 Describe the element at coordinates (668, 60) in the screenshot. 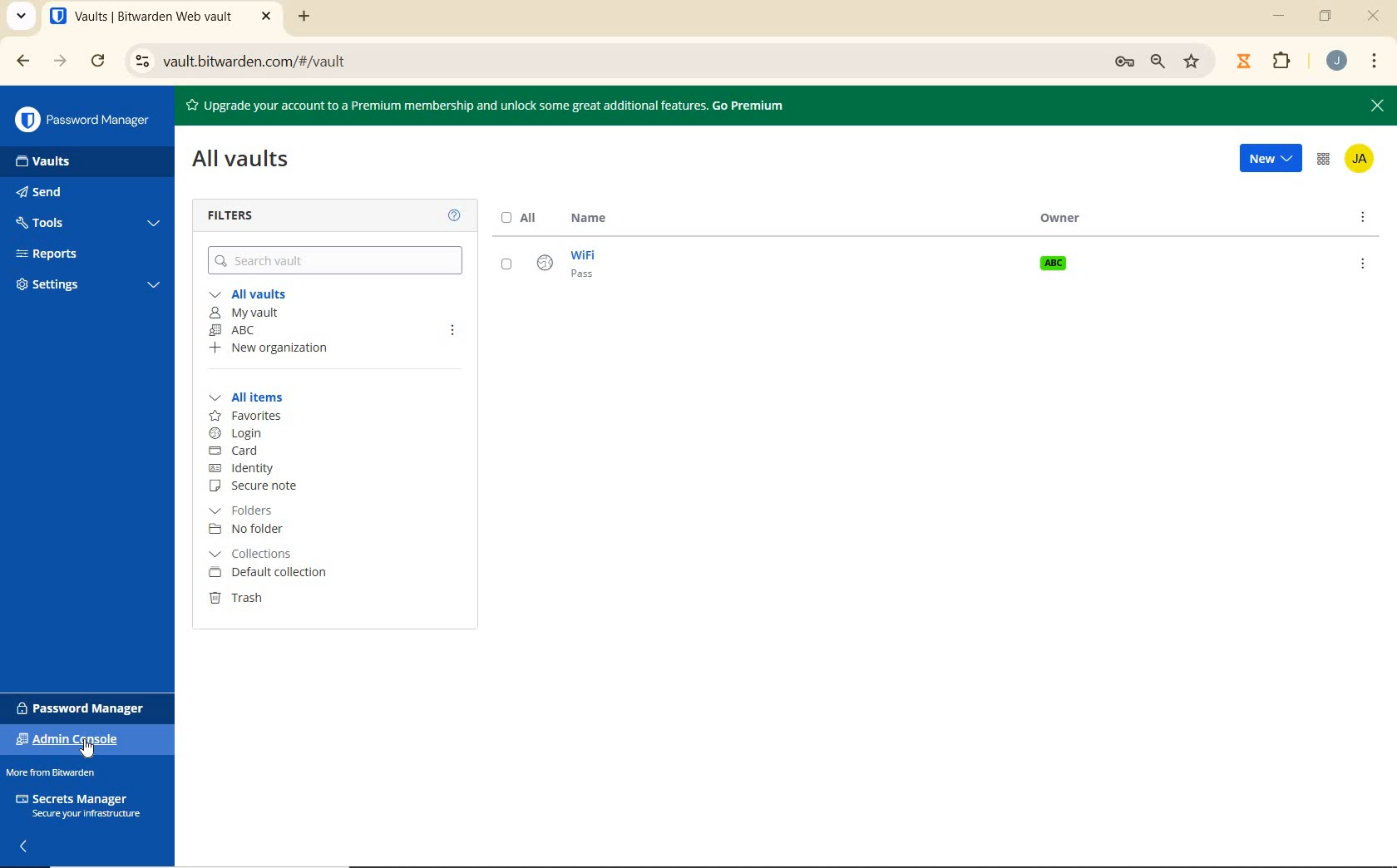

I see `ADDRESS BAR` at that location.